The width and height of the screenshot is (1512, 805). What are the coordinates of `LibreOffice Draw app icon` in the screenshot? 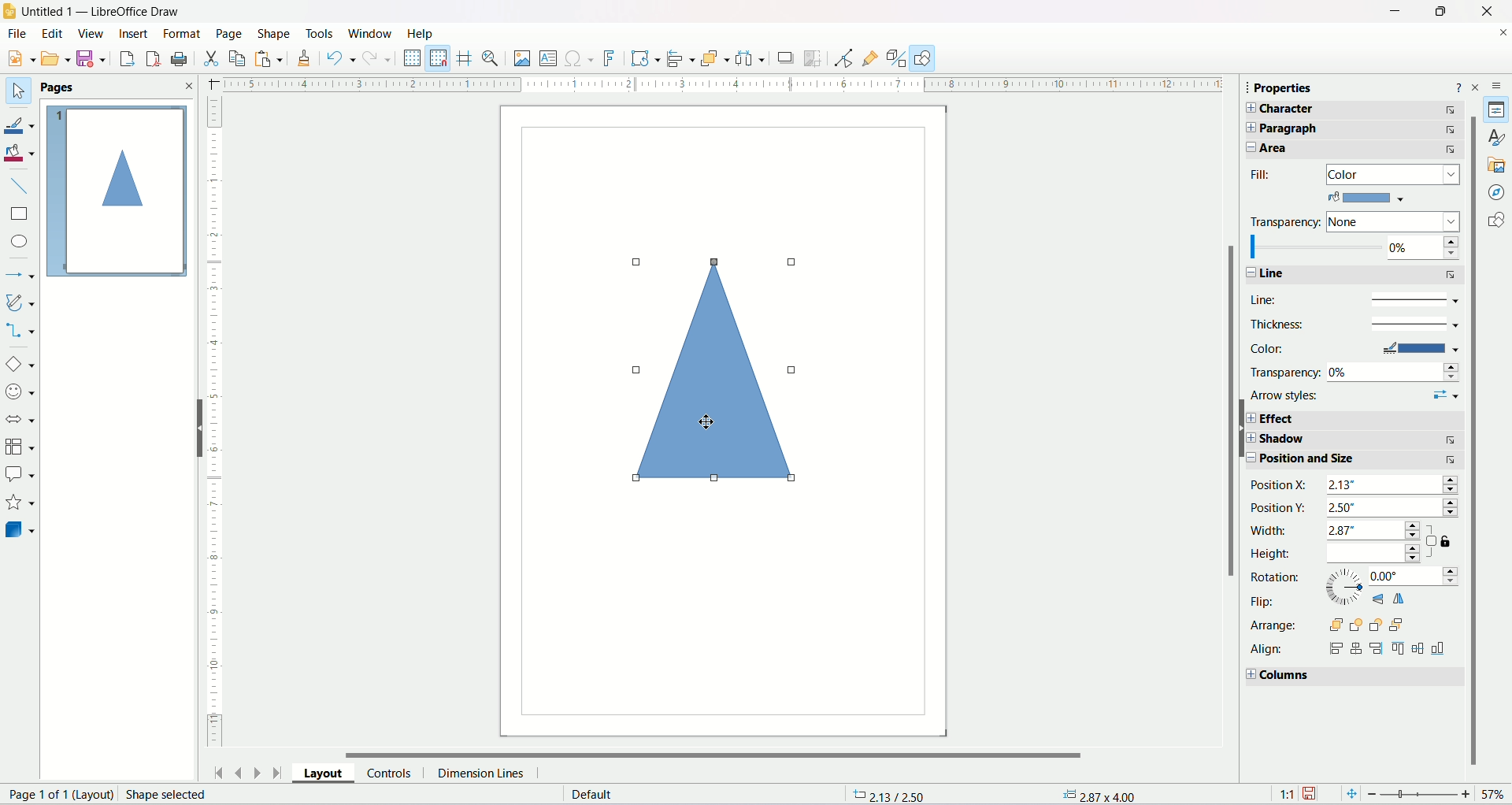 It's located at (9, 9).